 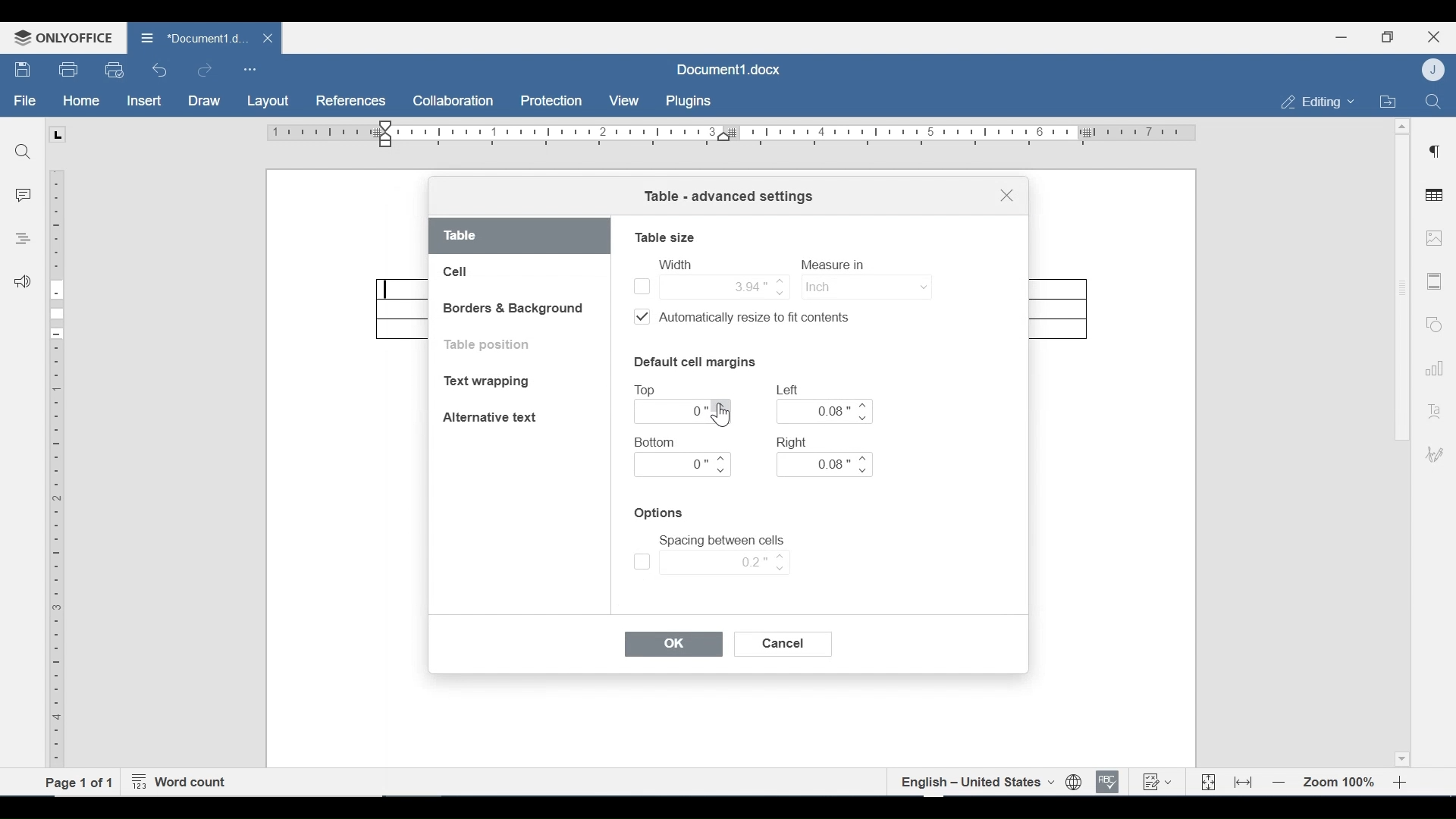 I want to click on File, so click(x=26, y=101).